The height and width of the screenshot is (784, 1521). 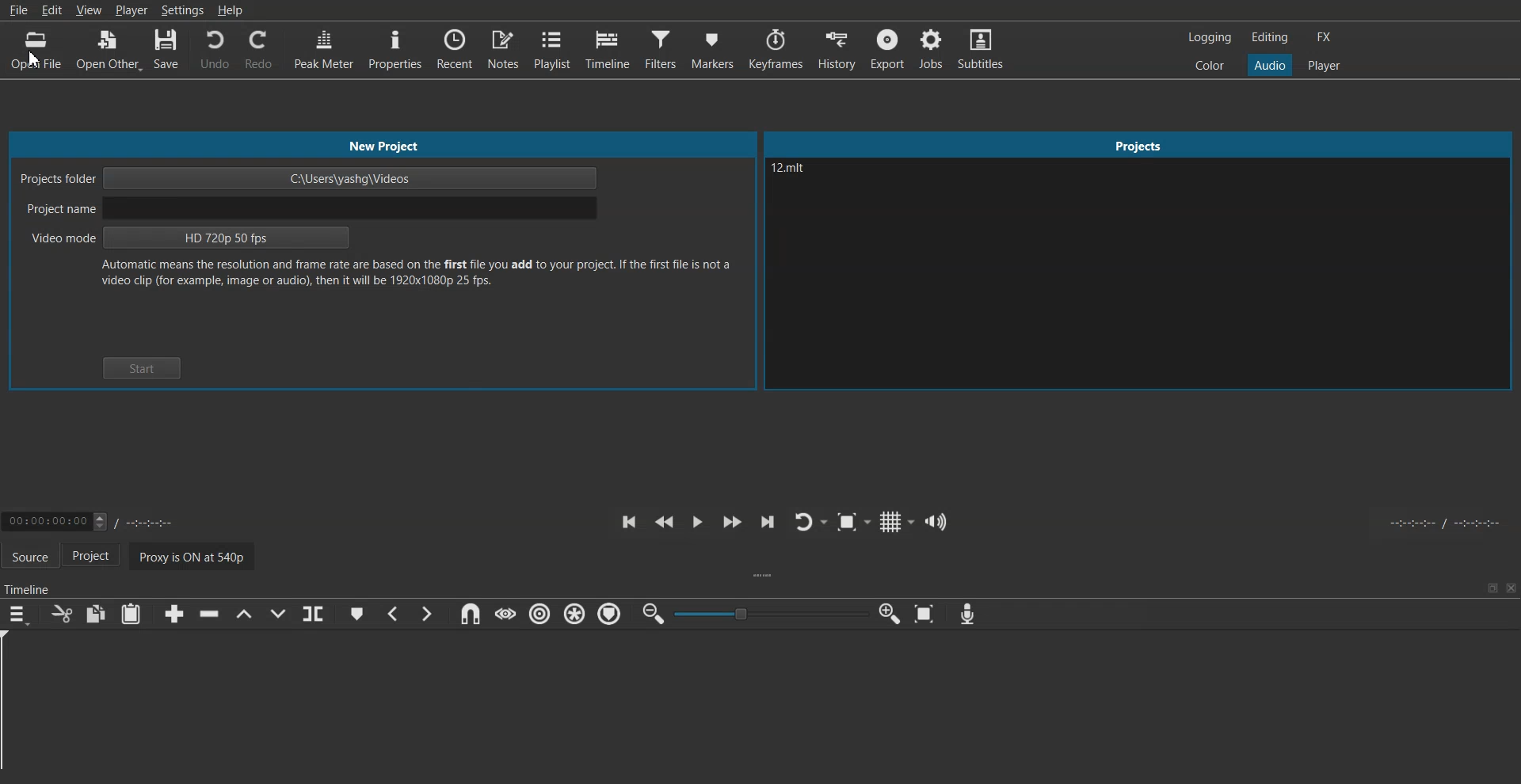 What do you see at coordinates (311, 211) in the screenshot?
I see `Enter Project name` at bounding box center [311, 211].